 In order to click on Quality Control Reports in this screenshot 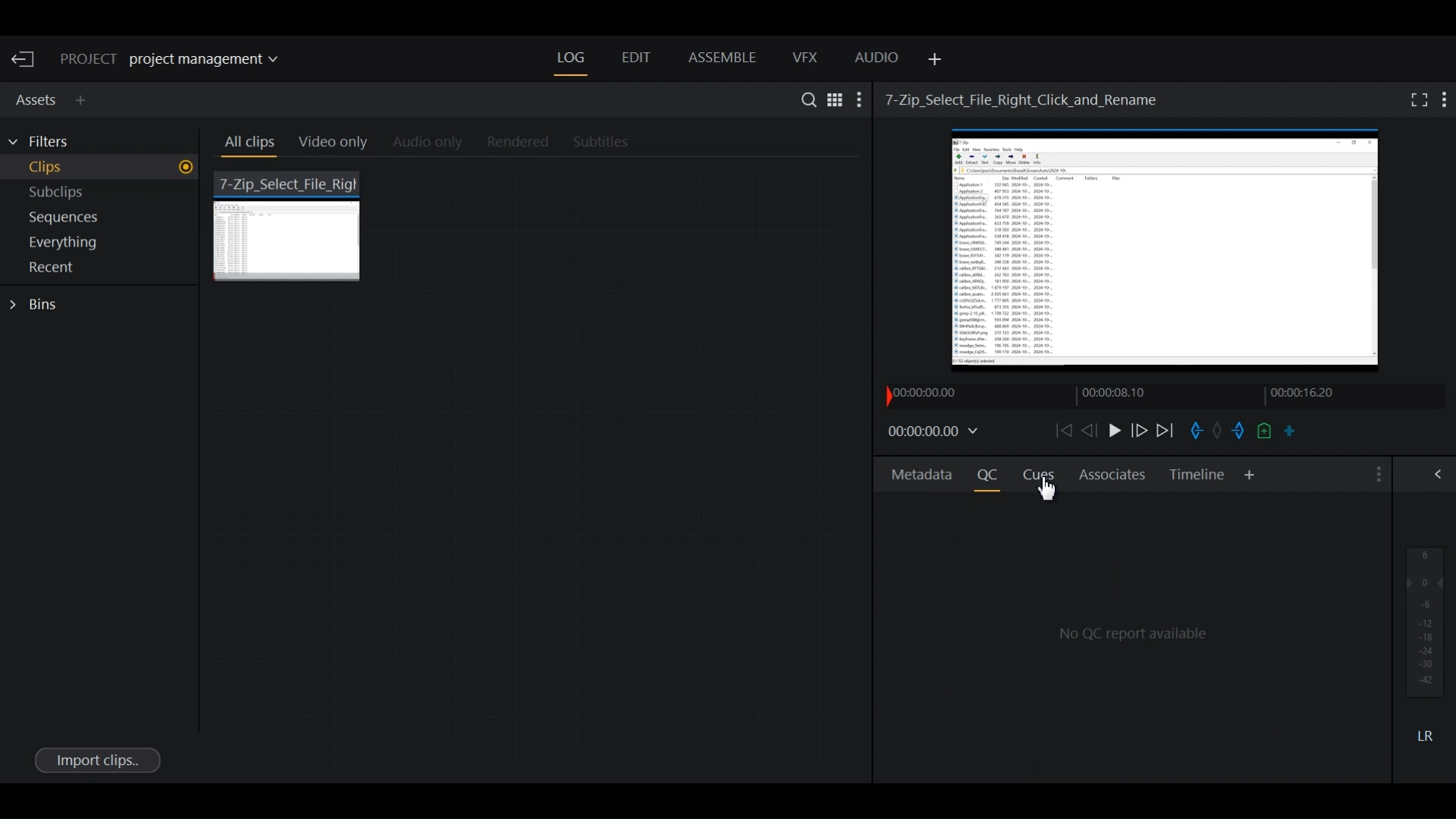, I will do `click(1135, 637)`.